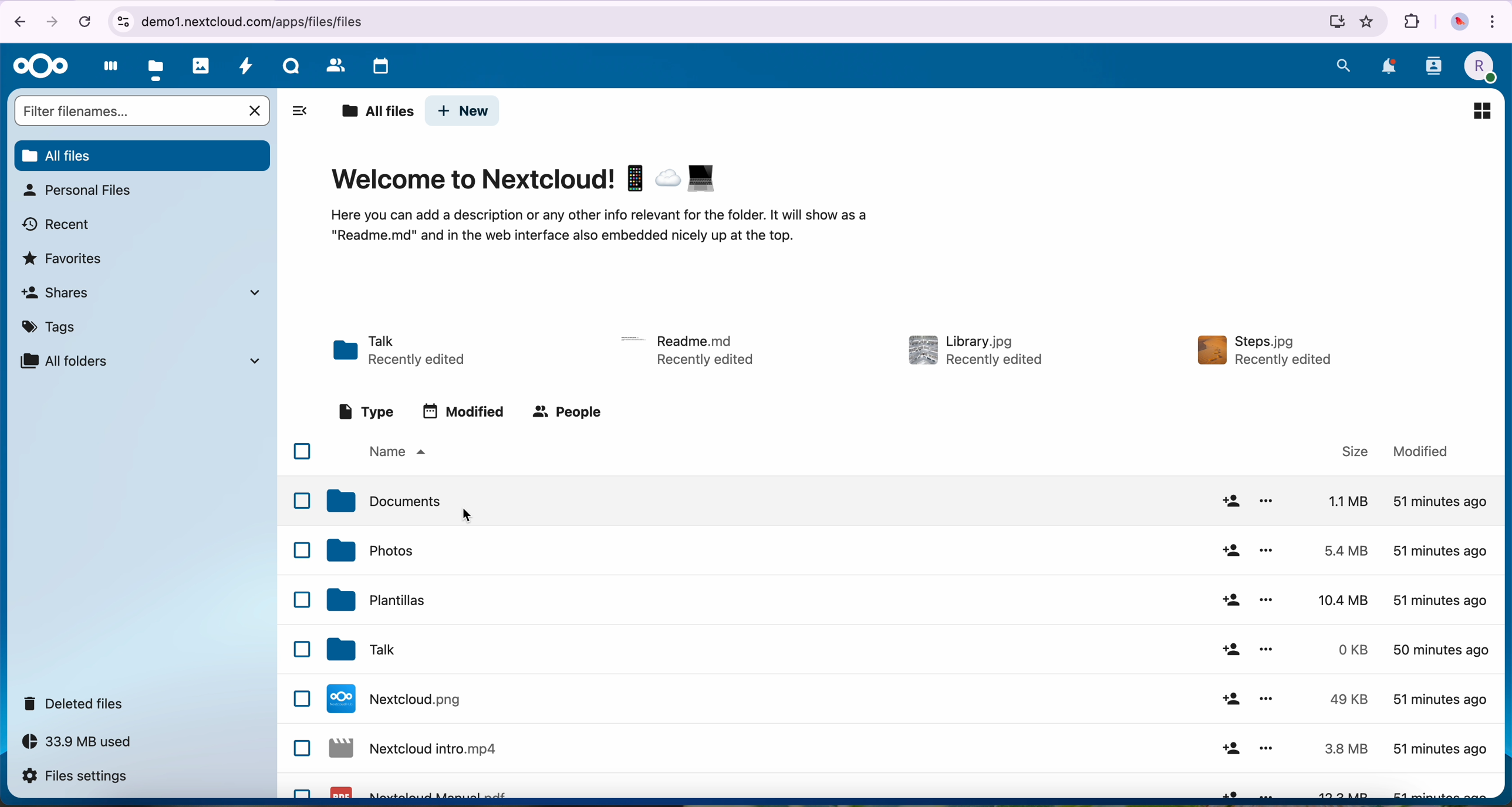 This screenshot has width=1512, height=807. I want to click on toggle sidebar, so click(299, 110).